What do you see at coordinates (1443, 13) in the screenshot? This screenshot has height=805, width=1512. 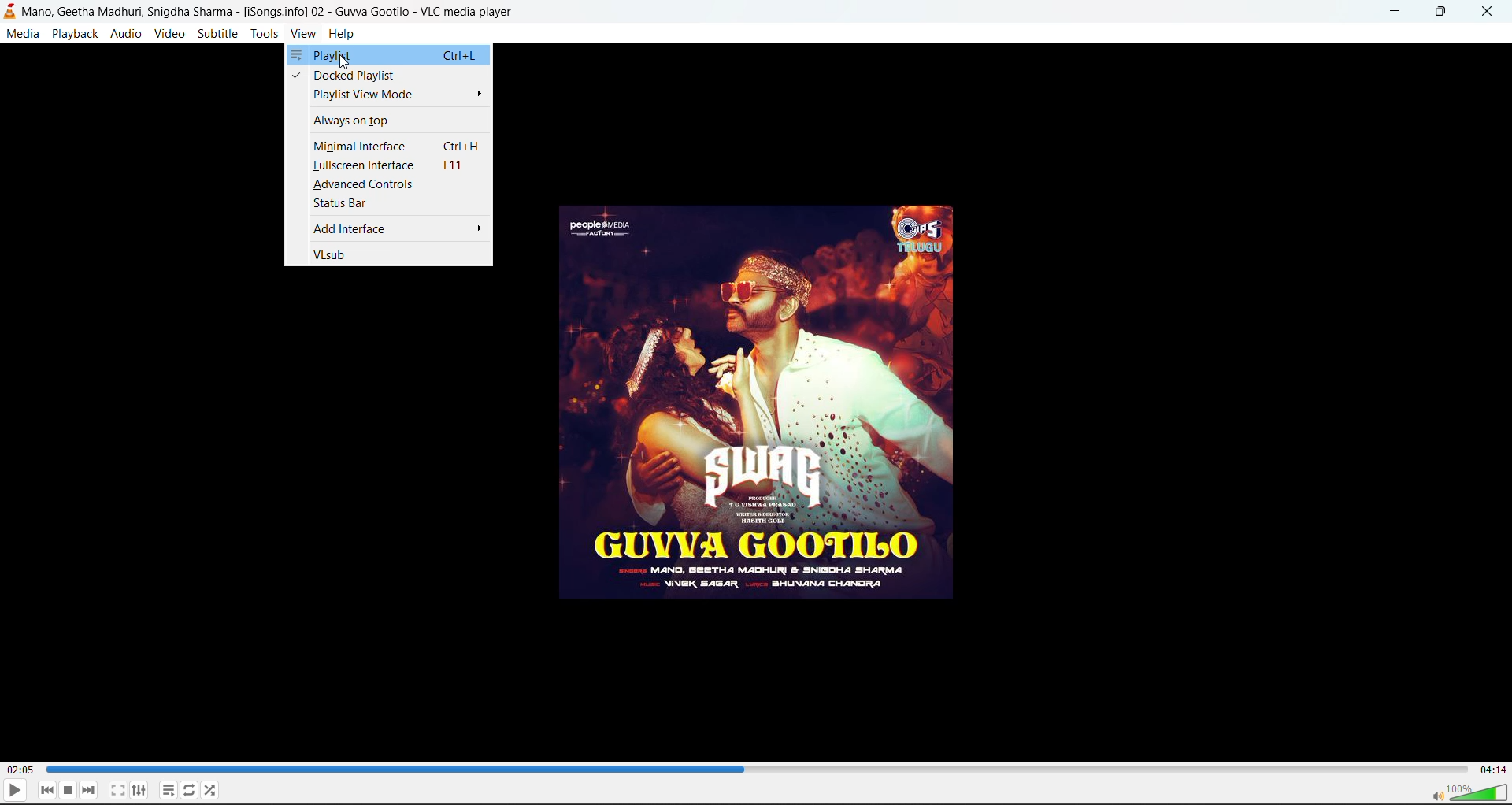 I see `maximize` at bounding box center [1443, 13].